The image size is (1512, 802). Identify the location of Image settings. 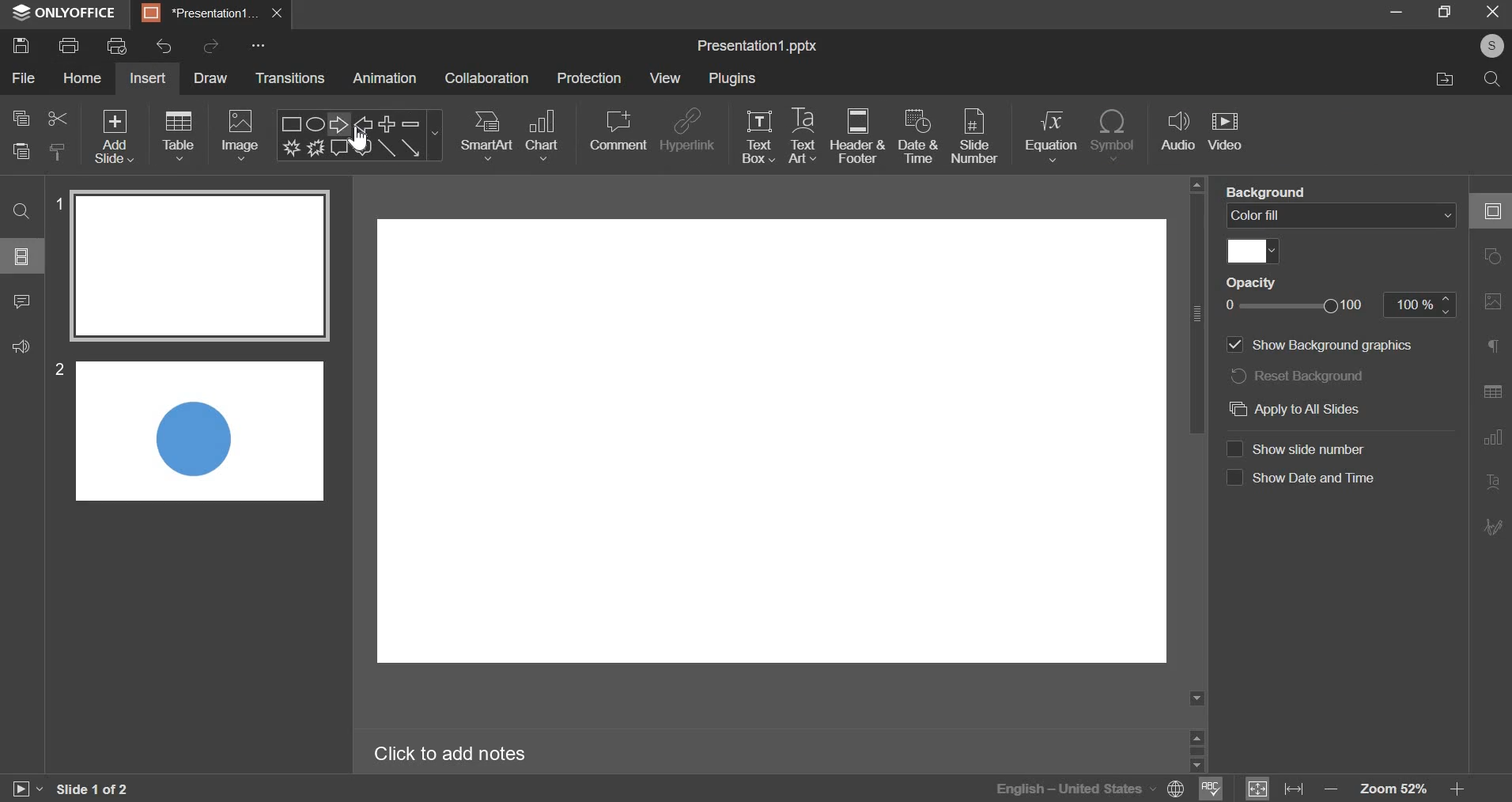
(1494, 301).